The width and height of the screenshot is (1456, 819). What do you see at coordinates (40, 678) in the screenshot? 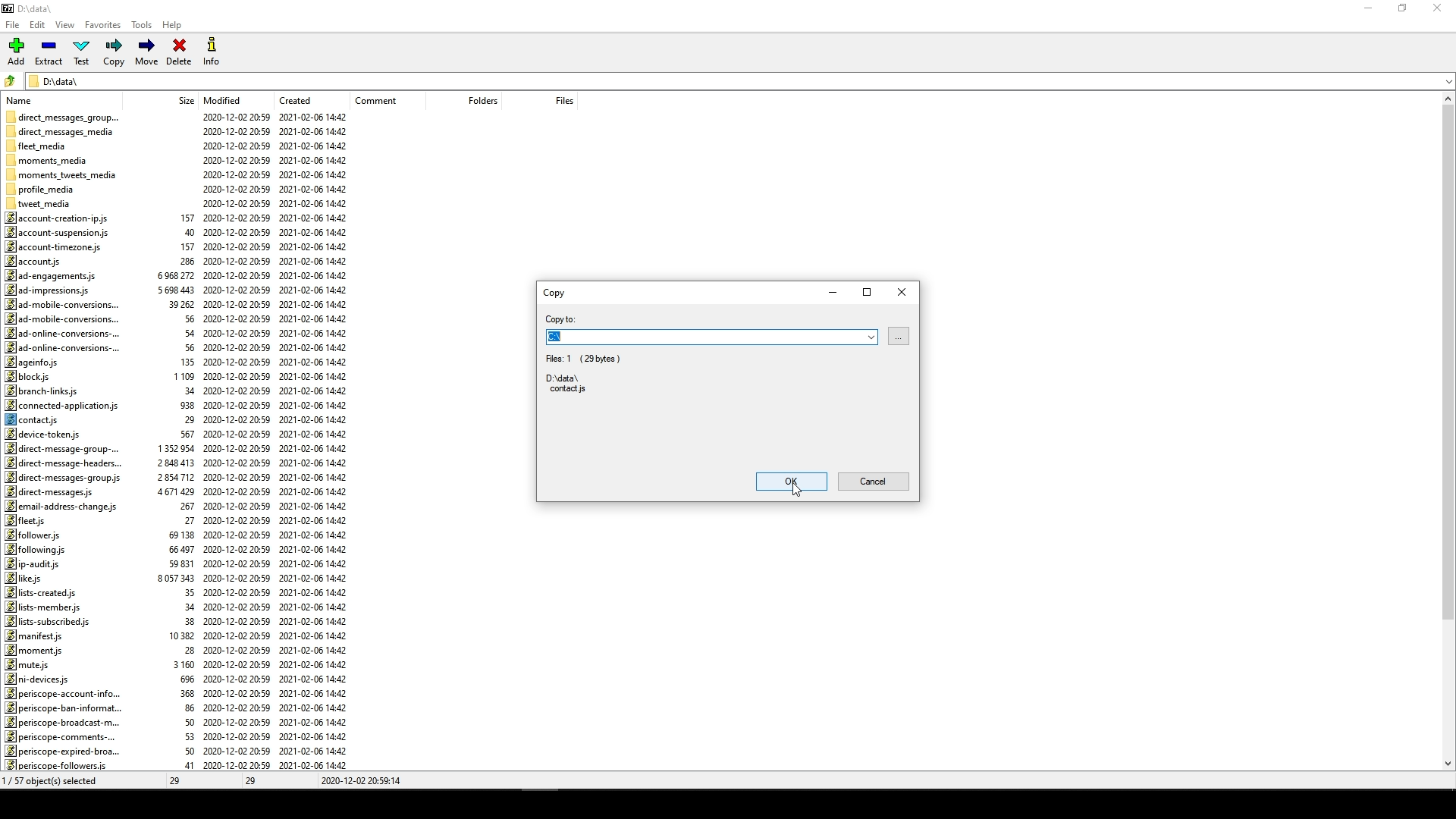
I see `ni-devices.js` at bounding box center [40, 678].